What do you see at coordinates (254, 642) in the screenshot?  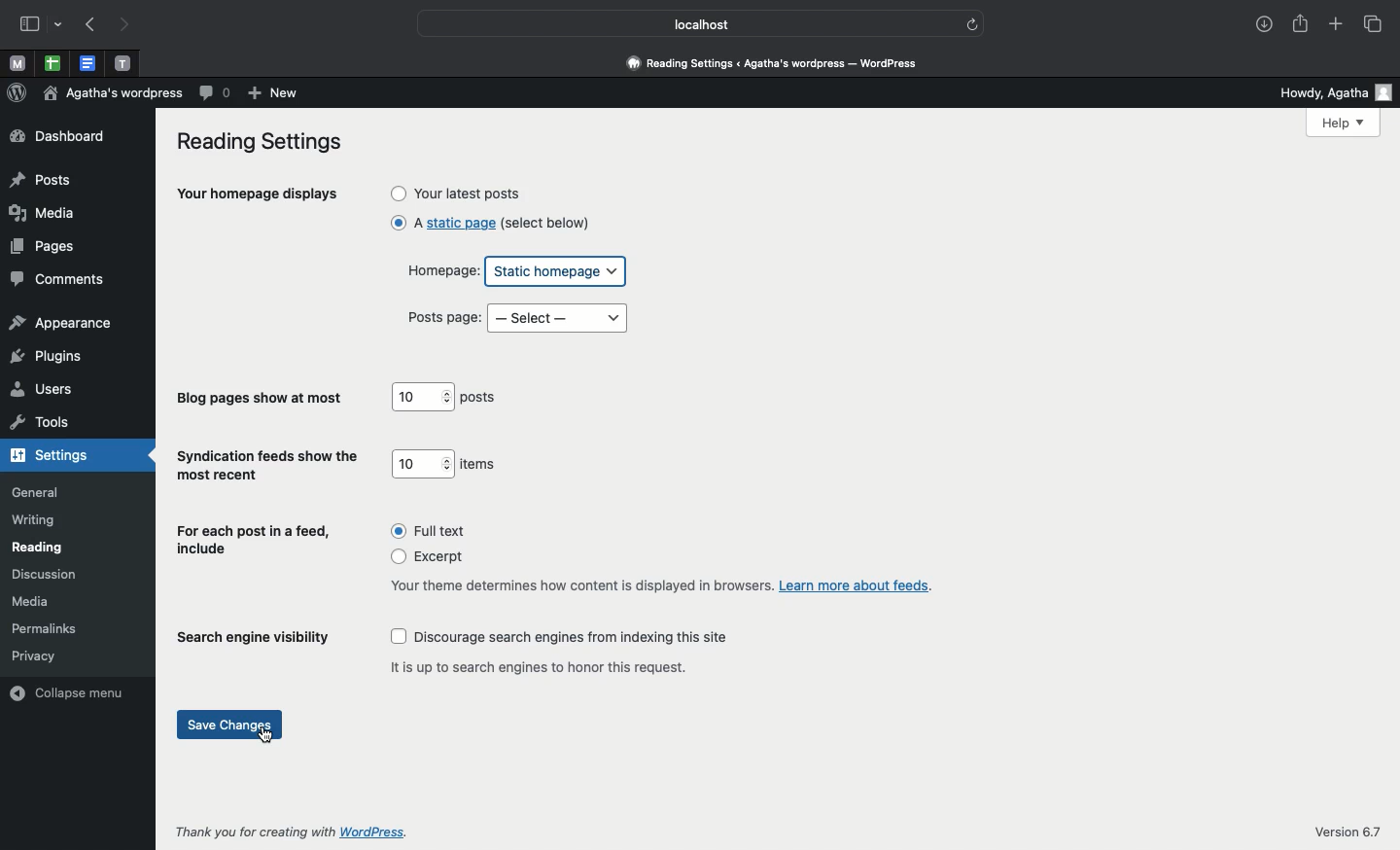 I see `Search engine visibility` at bounding box center [254, 642].